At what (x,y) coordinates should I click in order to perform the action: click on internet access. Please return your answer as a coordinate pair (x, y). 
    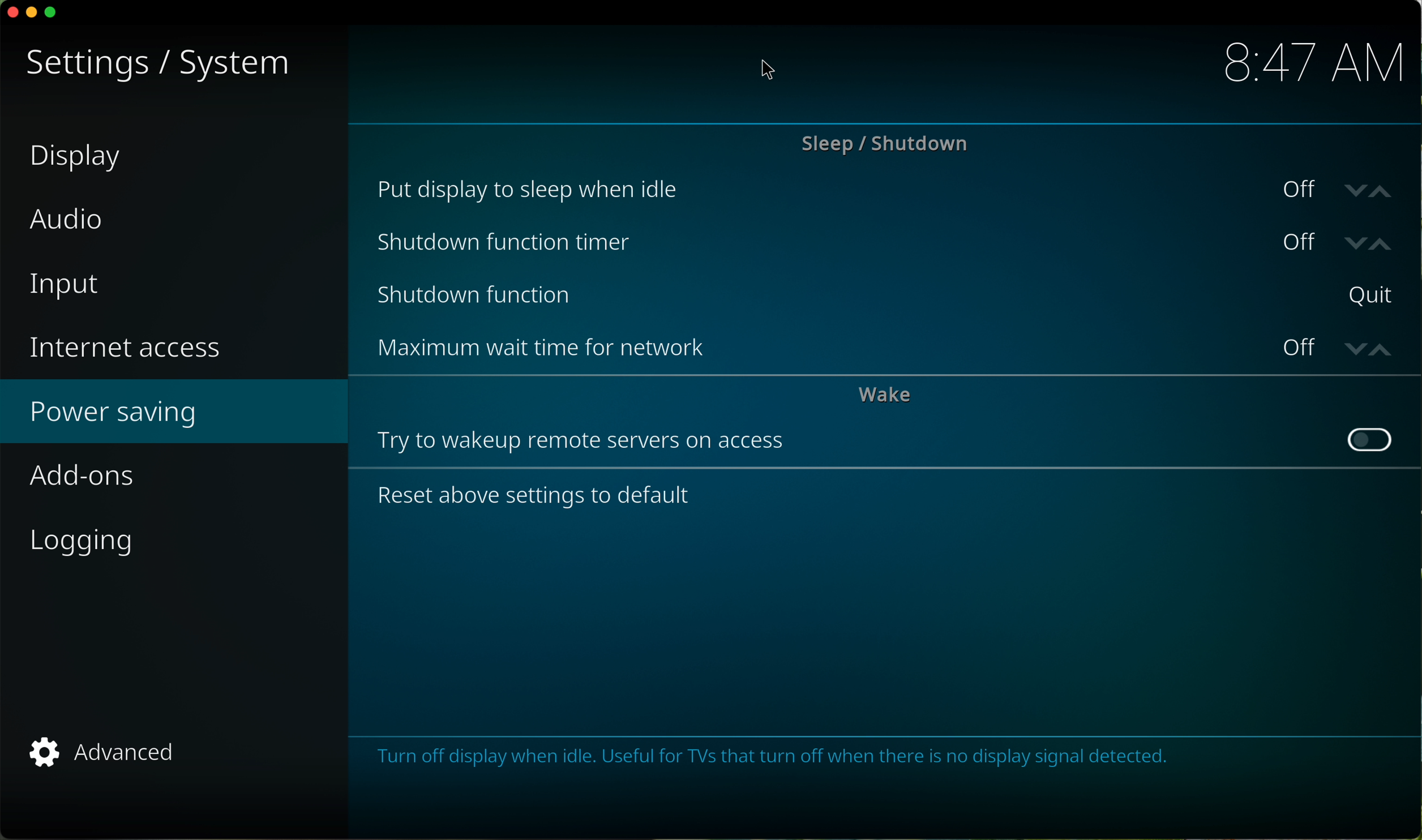
    Looking at the image, I should click on (130, 349).